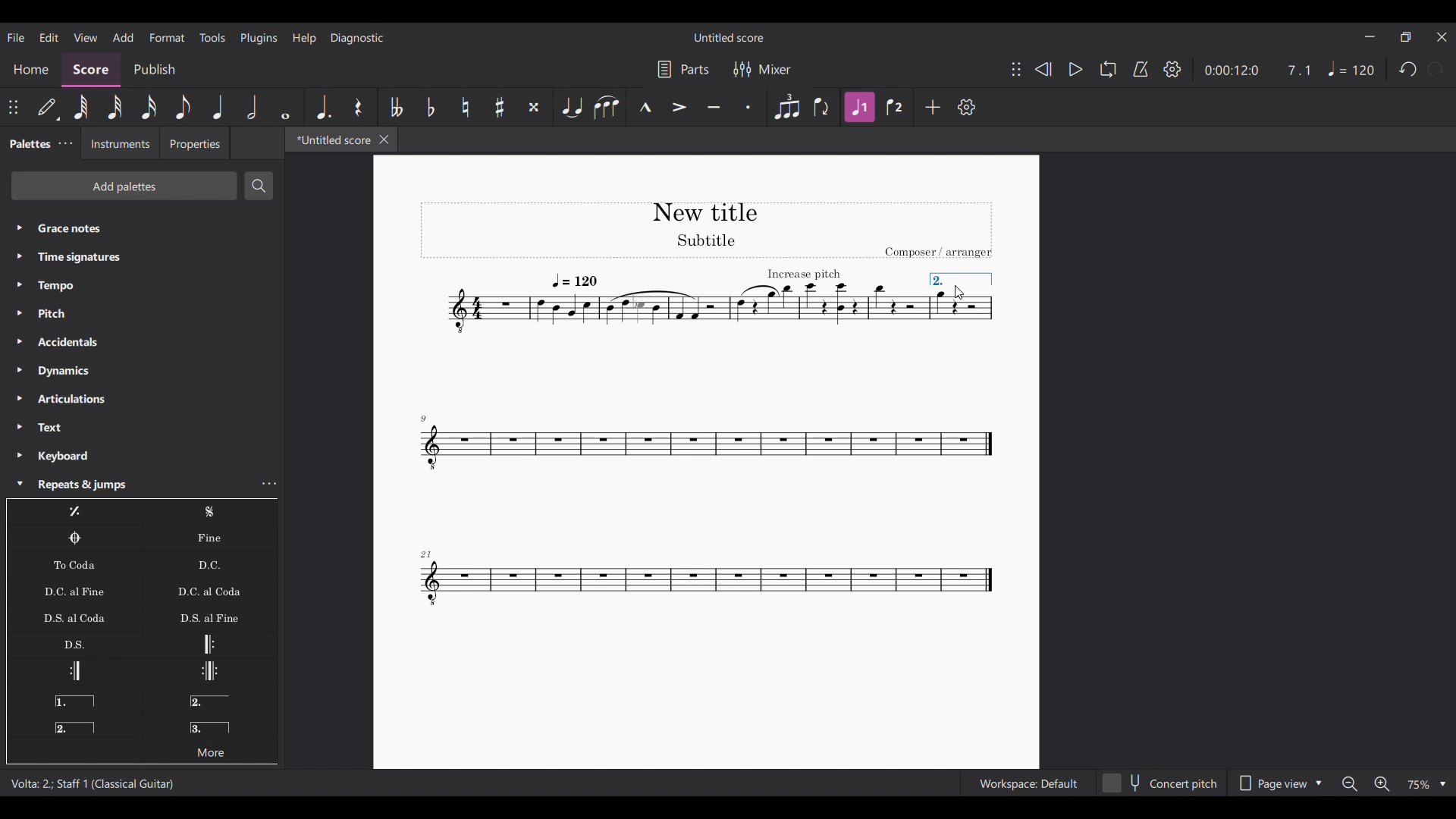 Image resolution: width=1456 pixels, height=819 pixels. What do you see at coordinates (16, 38) in the screenshot?
I see `File menu` at bounding box center [16, 38].